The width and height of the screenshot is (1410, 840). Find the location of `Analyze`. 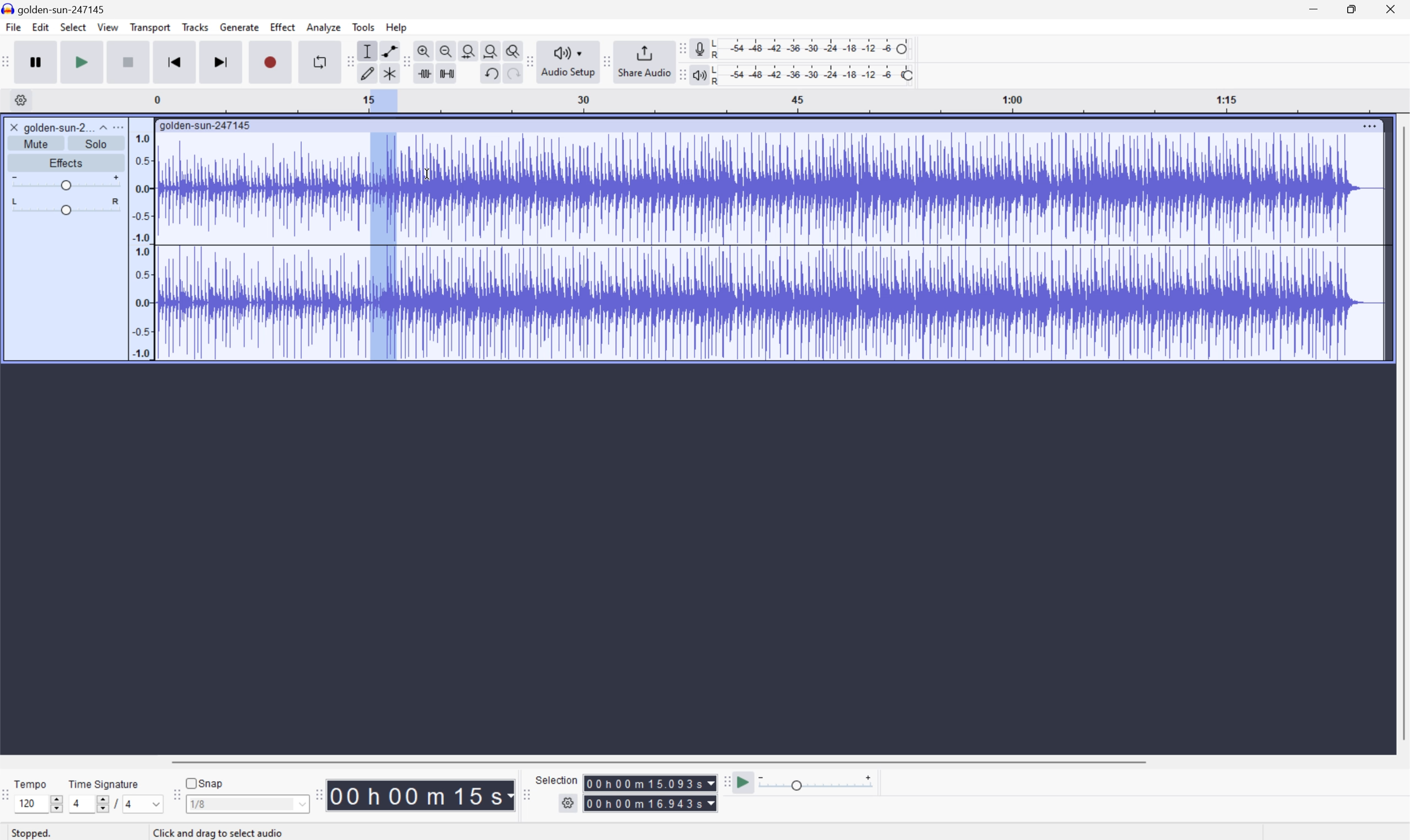

Analyze is located at coordinates (323, 27).